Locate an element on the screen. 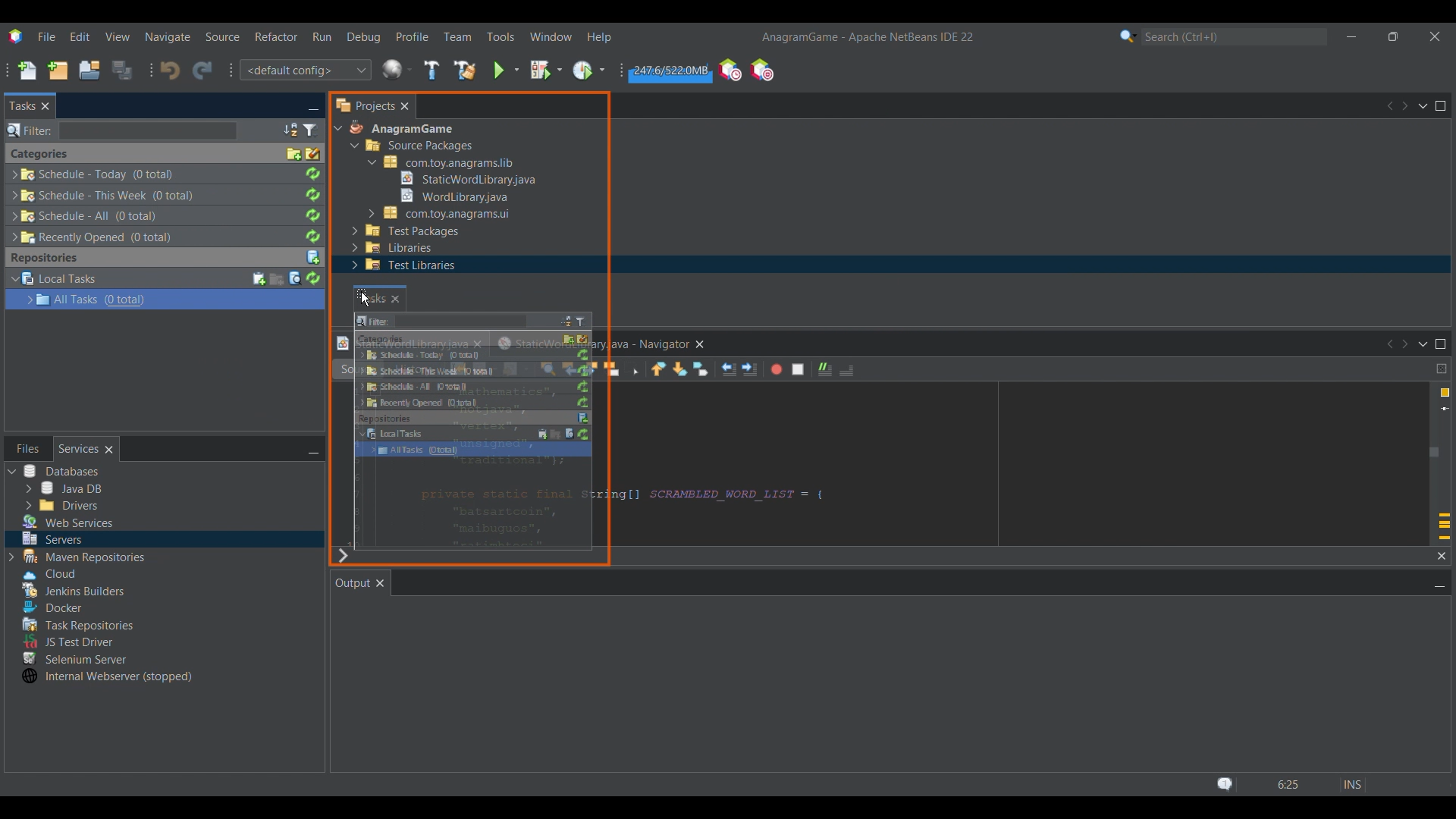   is located at coordinates (475, 369).